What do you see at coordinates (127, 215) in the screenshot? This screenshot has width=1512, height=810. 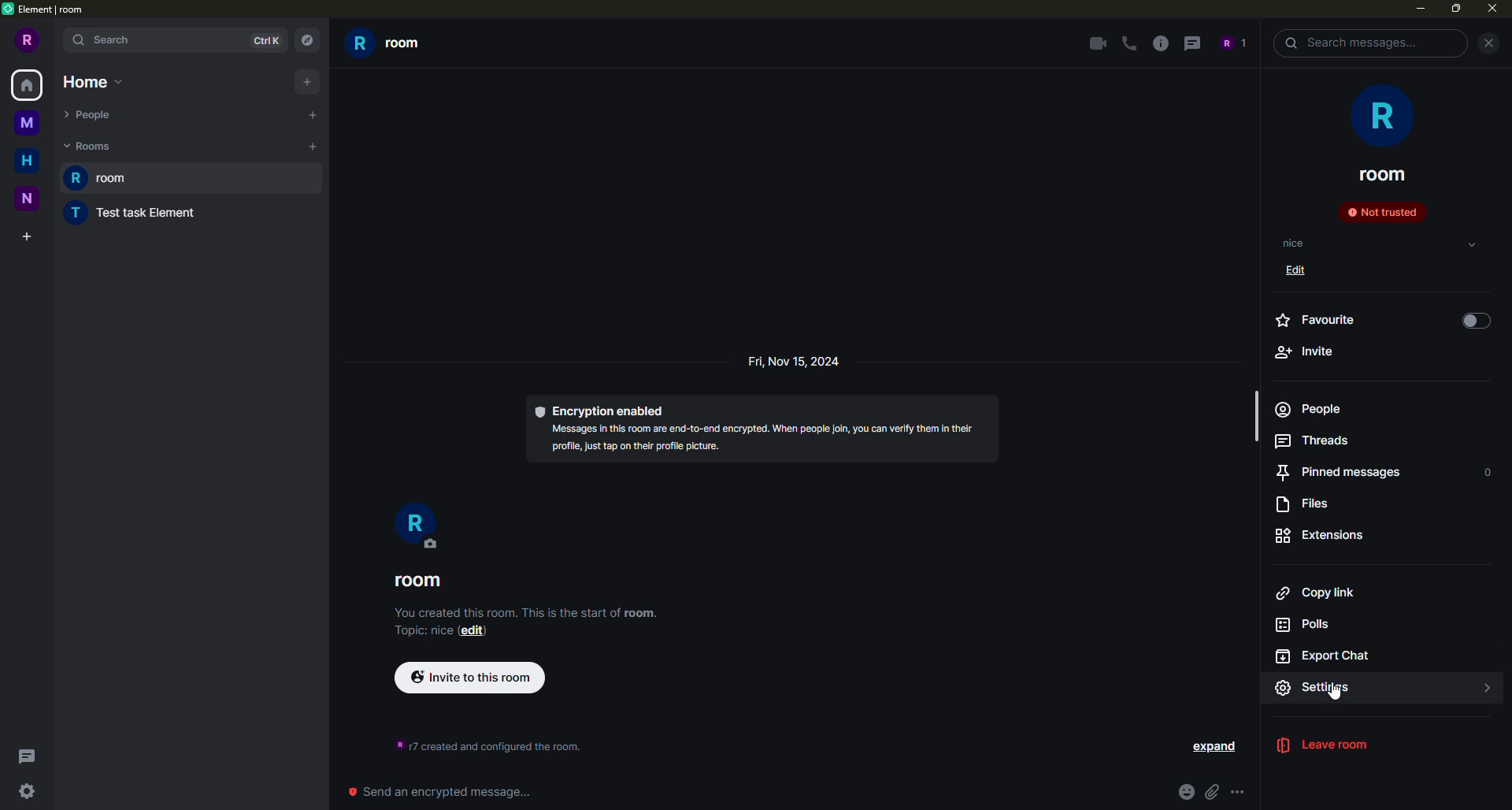 I see `test task element` at bounding box center [127, 215].